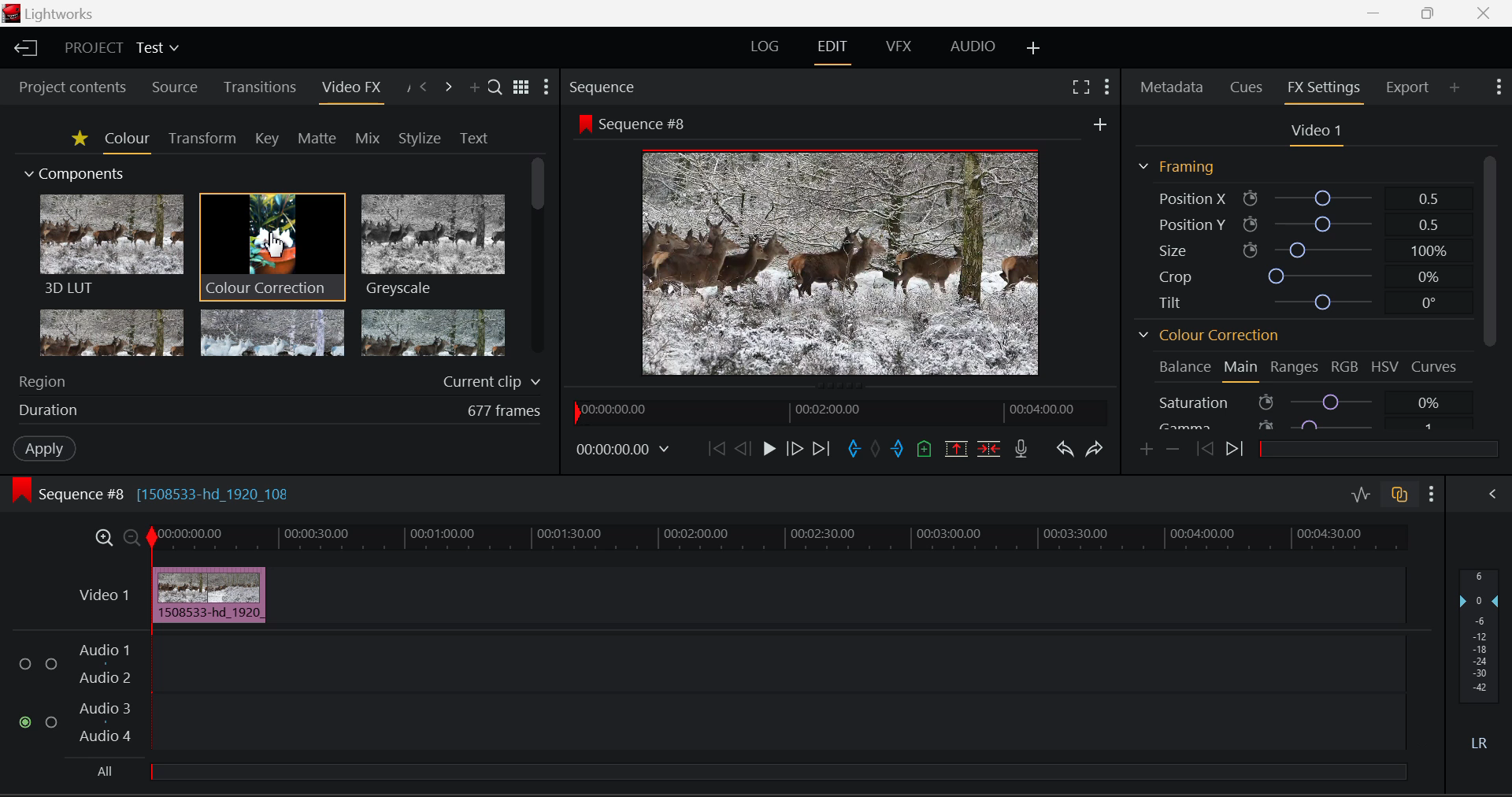 The height and width of the screenshot is (797, 1512). I want to click on Components, so click(76, 175).